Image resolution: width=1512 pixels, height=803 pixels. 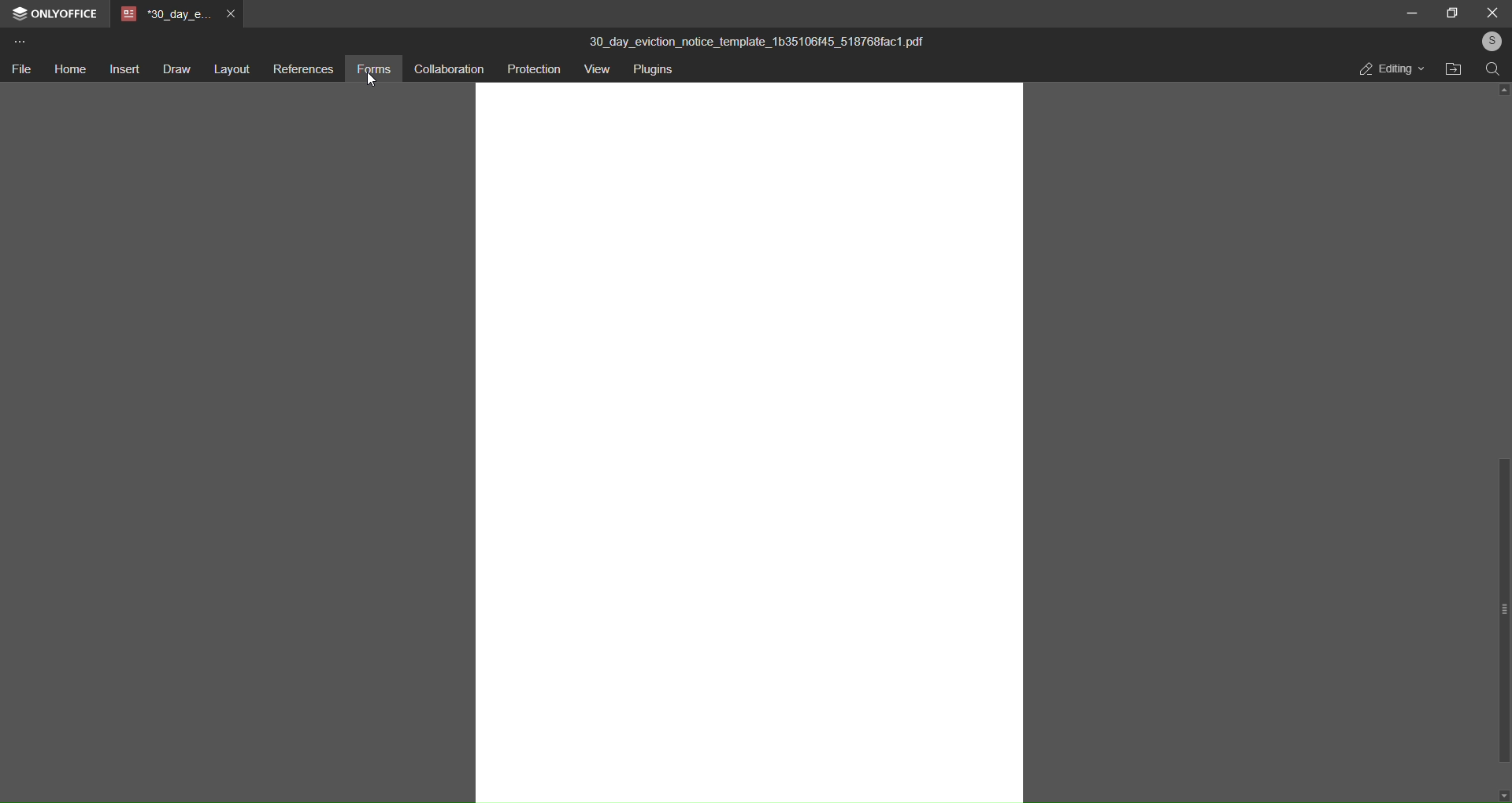 What do you see at coordinates (1500, 91) in the screenshot?
I see `up` at bounding box center [1500, 91].